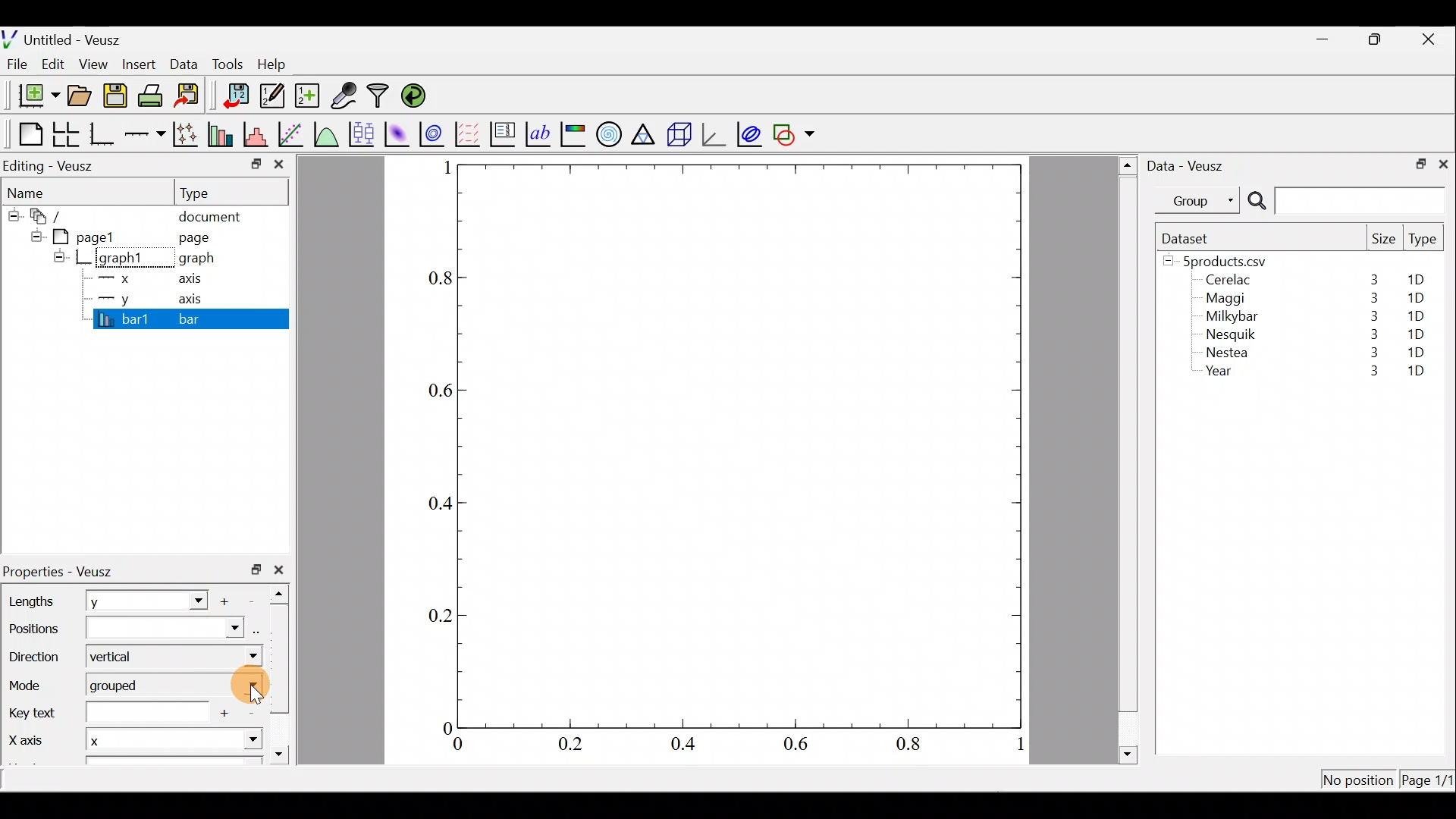 Image resolution: width=1456 pixels, height=819 pixels. What do you see at coordinates (795, 132) in the screenshot?
I see `Add a shape to the plot.` at bounding box center [795, 132].